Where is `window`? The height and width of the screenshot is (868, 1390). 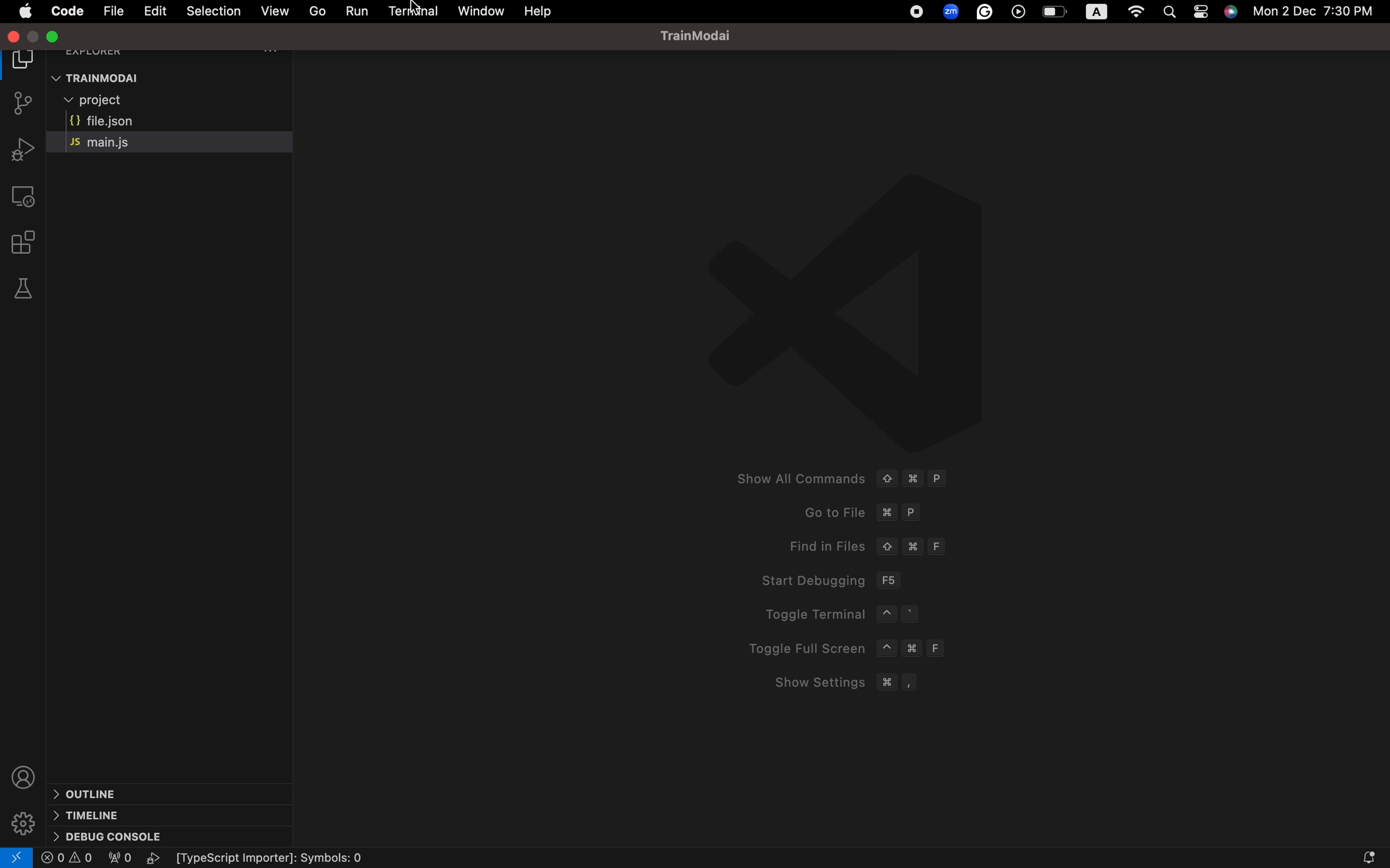 window is located at coordinates (480, 10).